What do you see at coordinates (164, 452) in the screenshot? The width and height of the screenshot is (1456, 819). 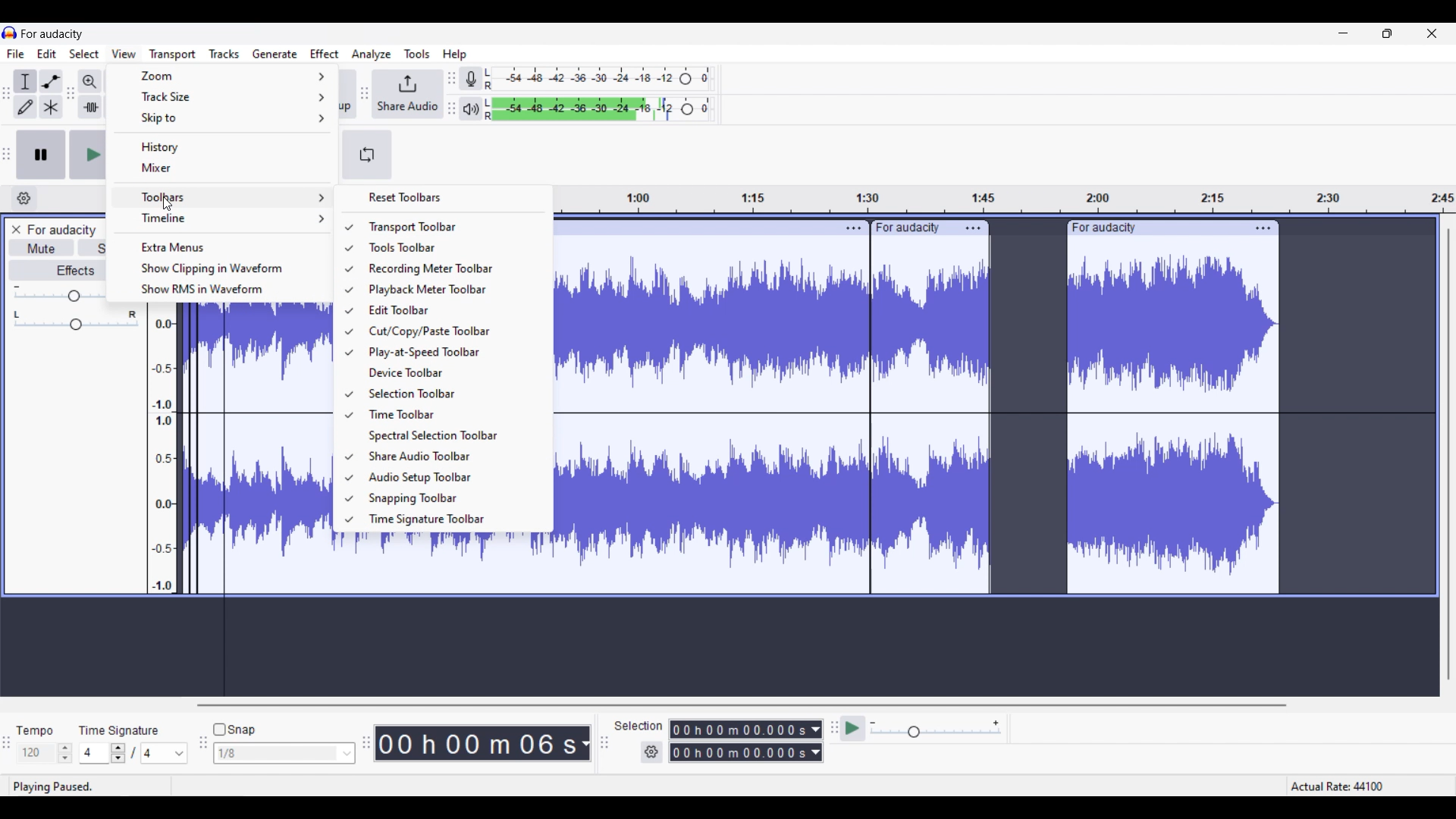 I see `Scale to measure sound intensity` at bounding box center [164, 452].